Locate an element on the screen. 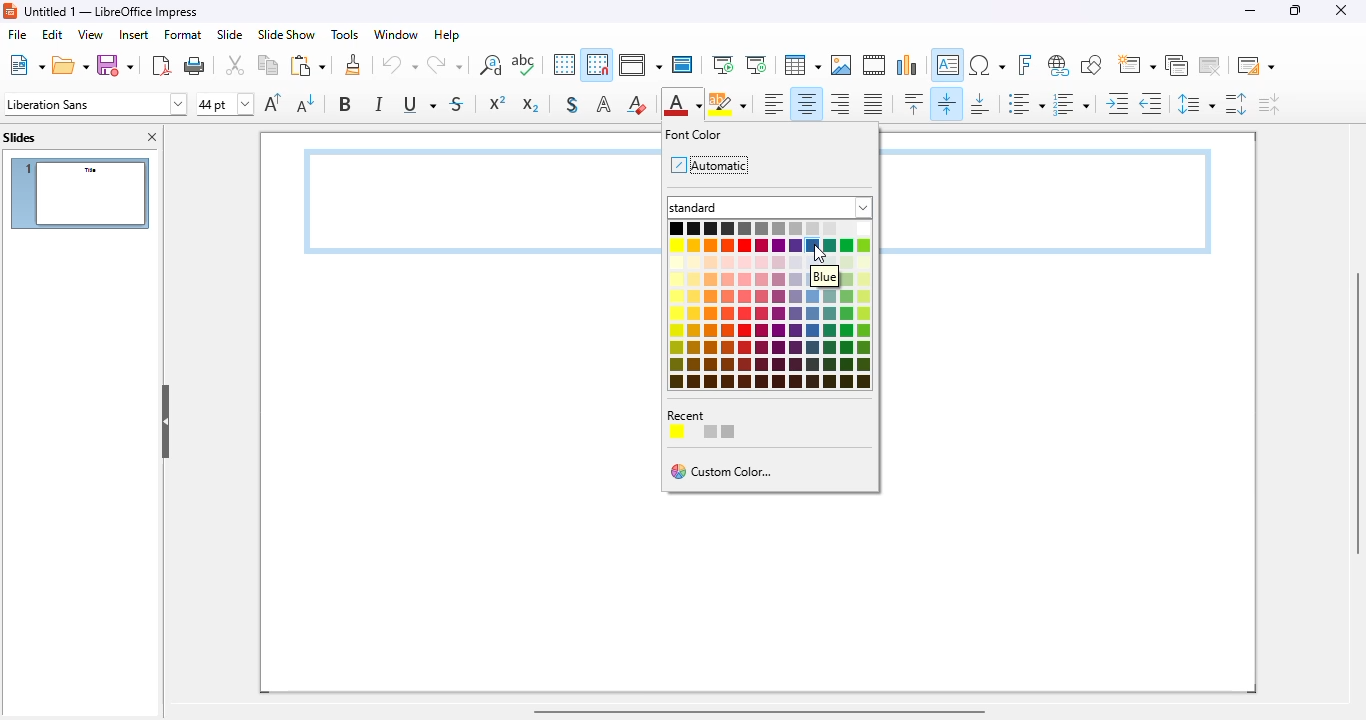 Image resolution: width=1366 pixels, height=720 pixels. automatic is located at coordinates (708, 164).